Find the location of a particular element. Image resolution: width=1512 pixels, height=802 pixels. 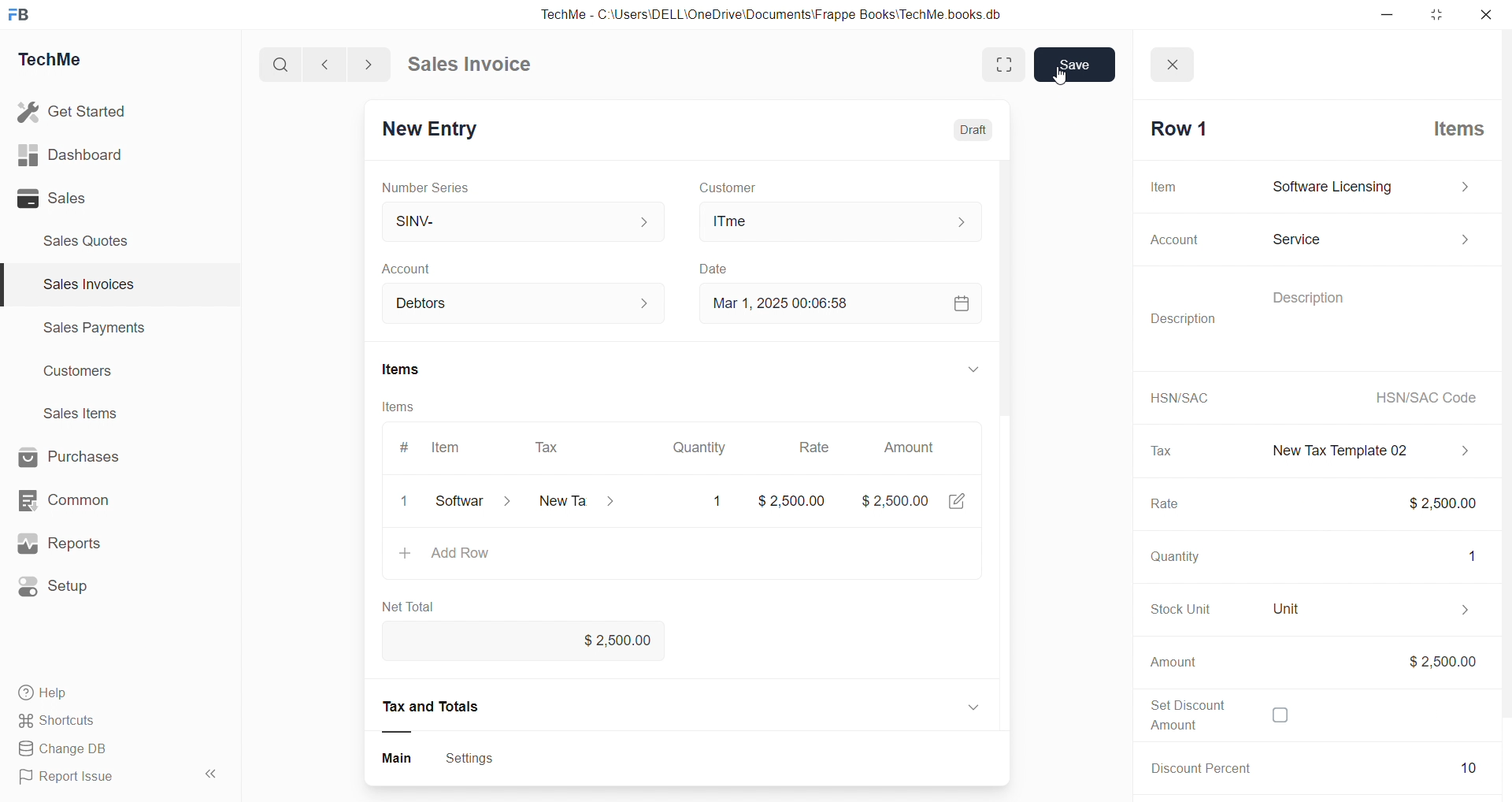

Full width is located at coordinates (990, 63).